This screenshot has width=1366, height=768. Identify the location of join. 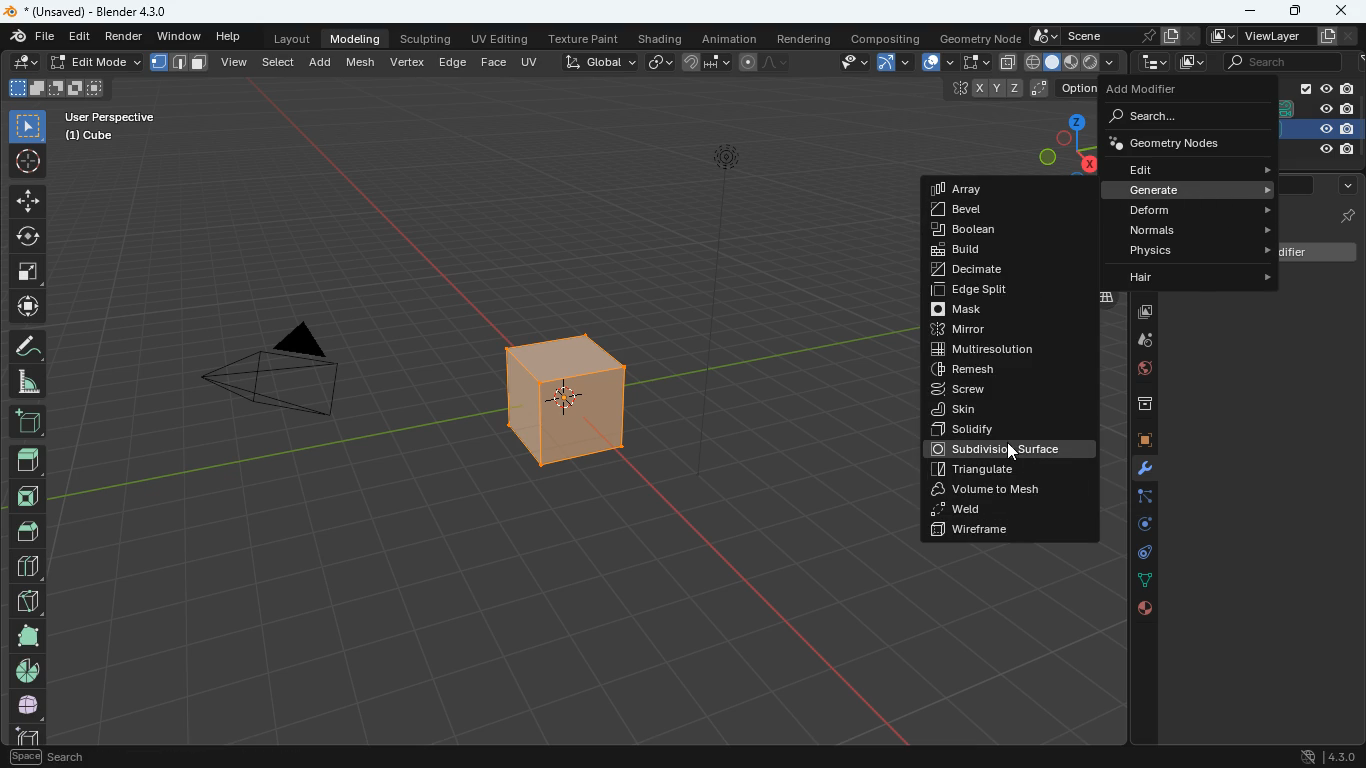
(703, 61).